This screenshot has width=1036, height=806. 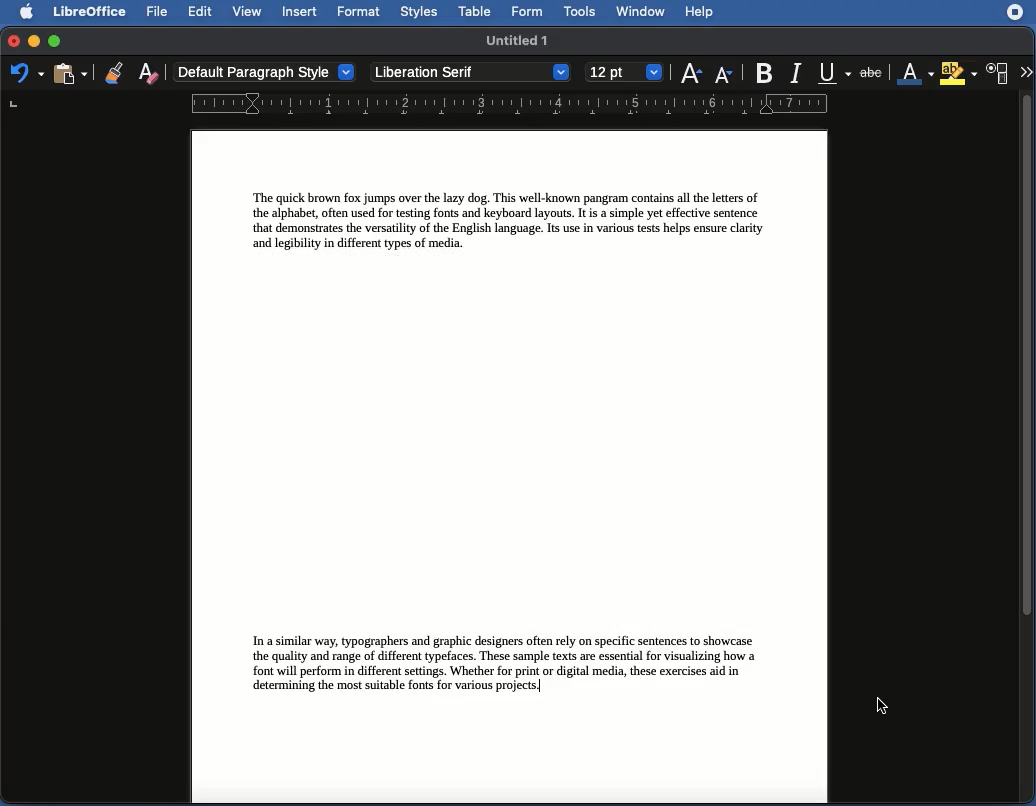 I want to click on Tools, so click(x=581, y=12).